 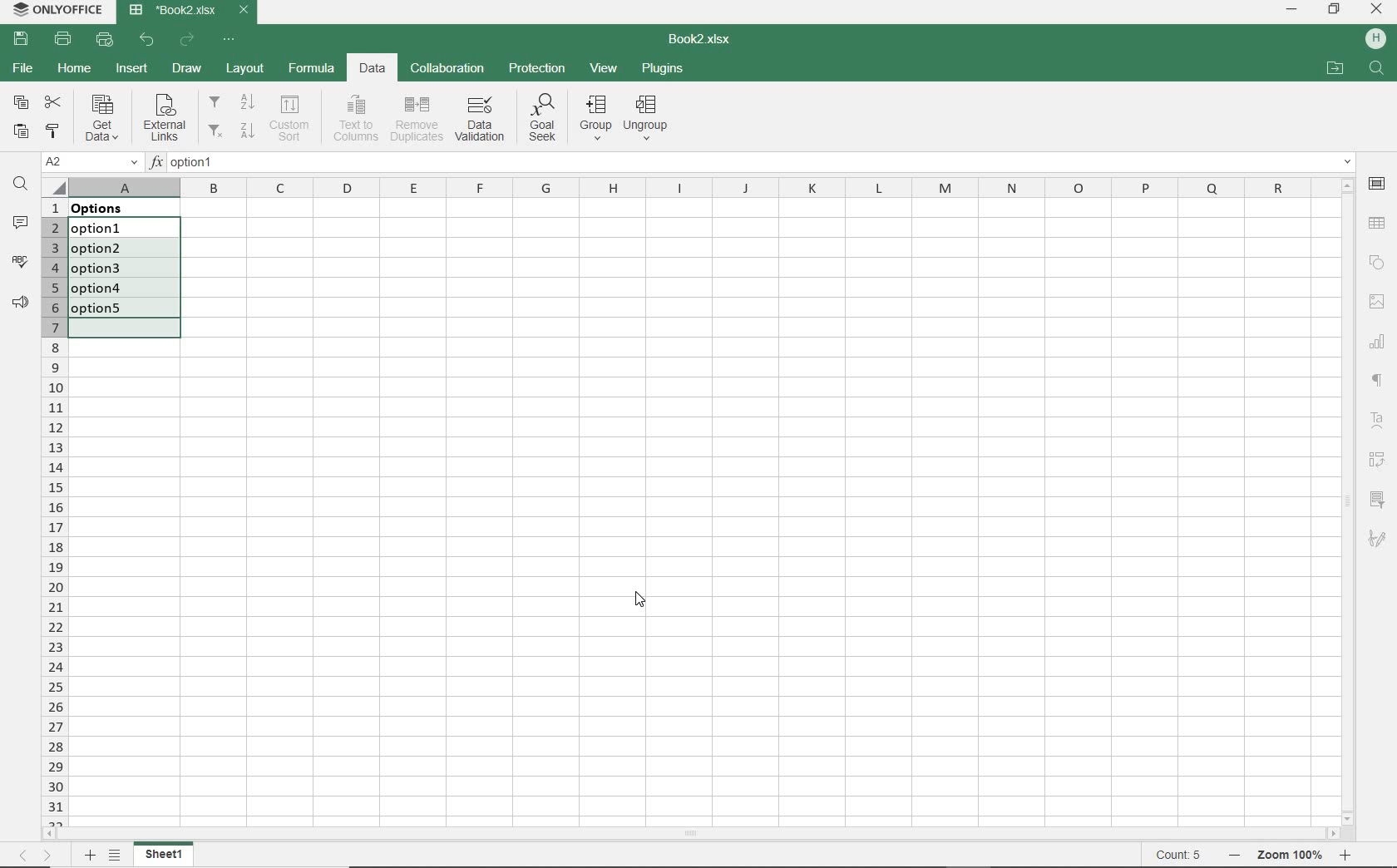 What do you see at coordinates (53, 511) in the screenshot?
I see `ROWS` at bounding box center [53, 511].